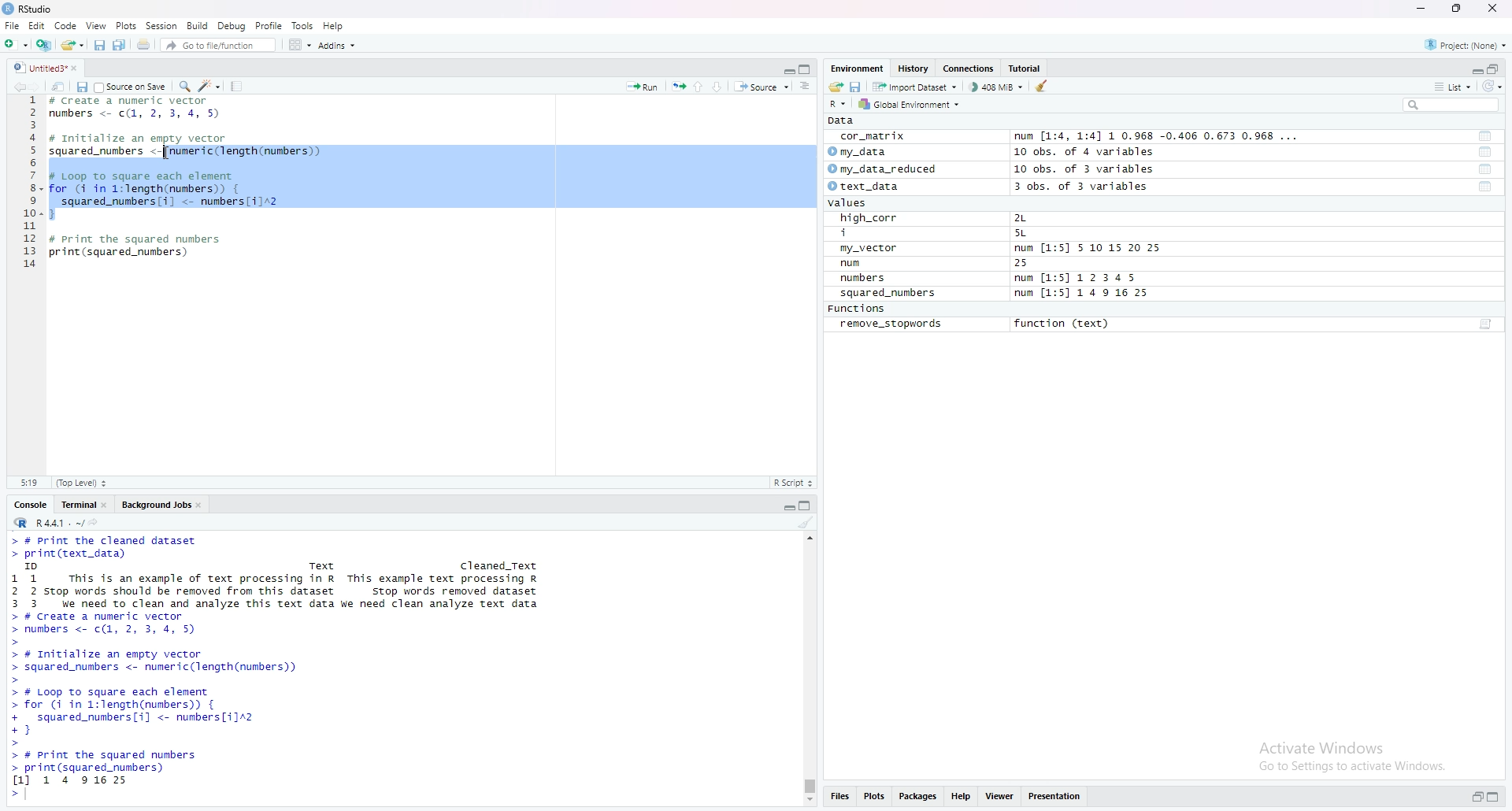 Image resolution: width=1512 pixels, height=811 pixels. Describe the element at coordinates (336, 45) in the screenshot. I see `Addins` at that location.